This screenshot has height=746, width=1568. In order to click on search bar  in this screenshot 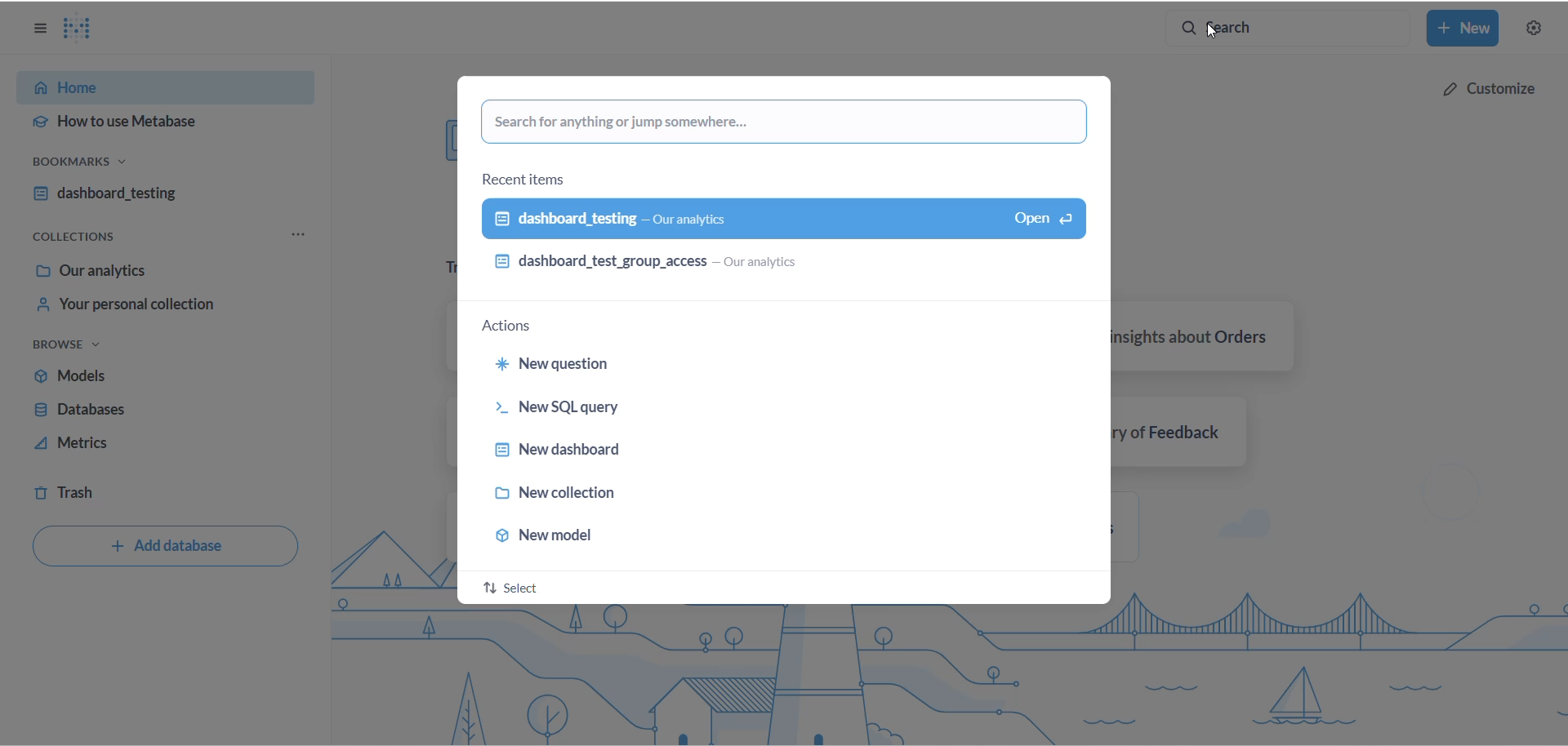, I will do `click(1290, 29)`.